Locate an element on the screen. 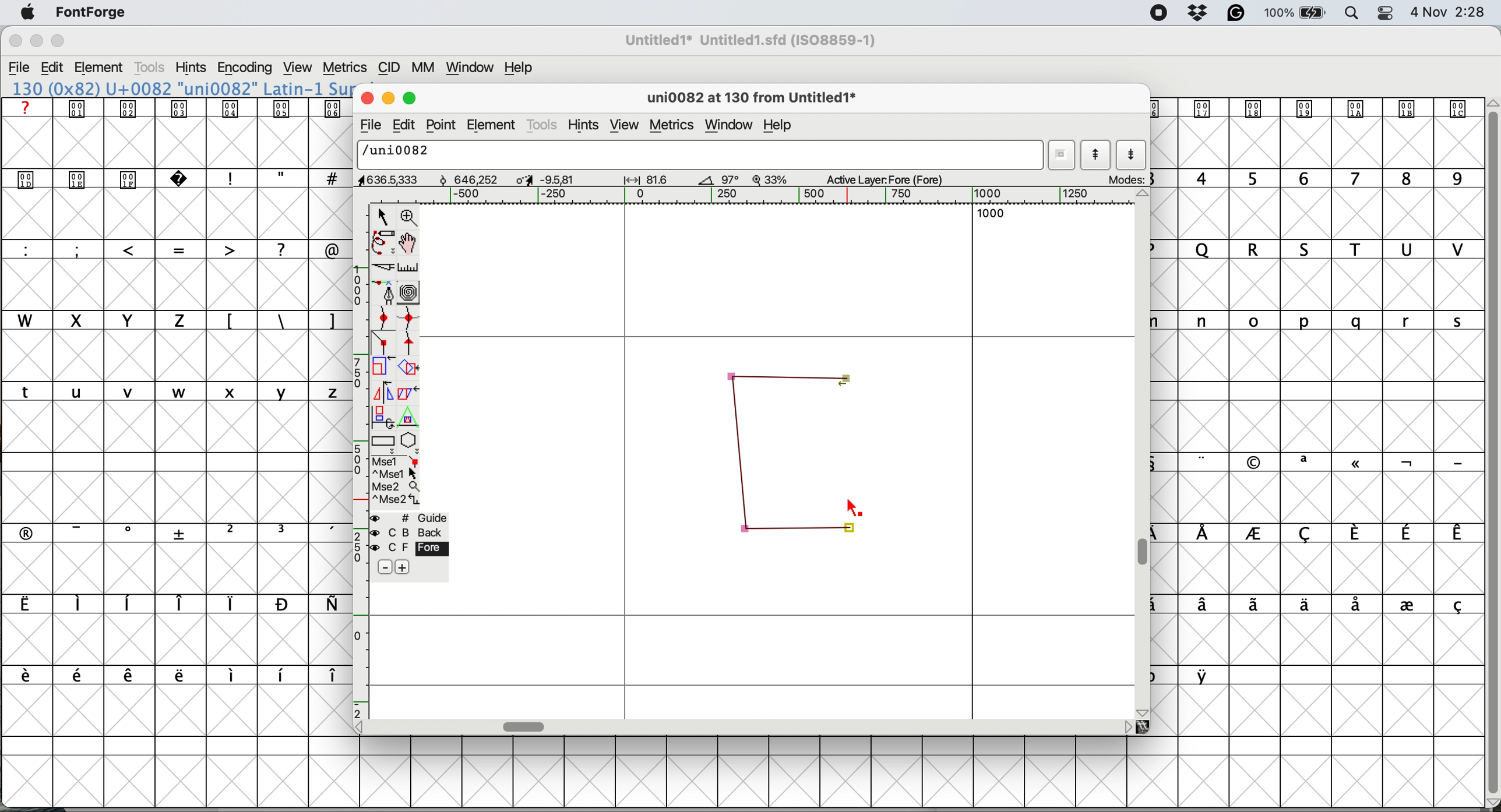  Date and Time is located at coordinates (1453, 12).